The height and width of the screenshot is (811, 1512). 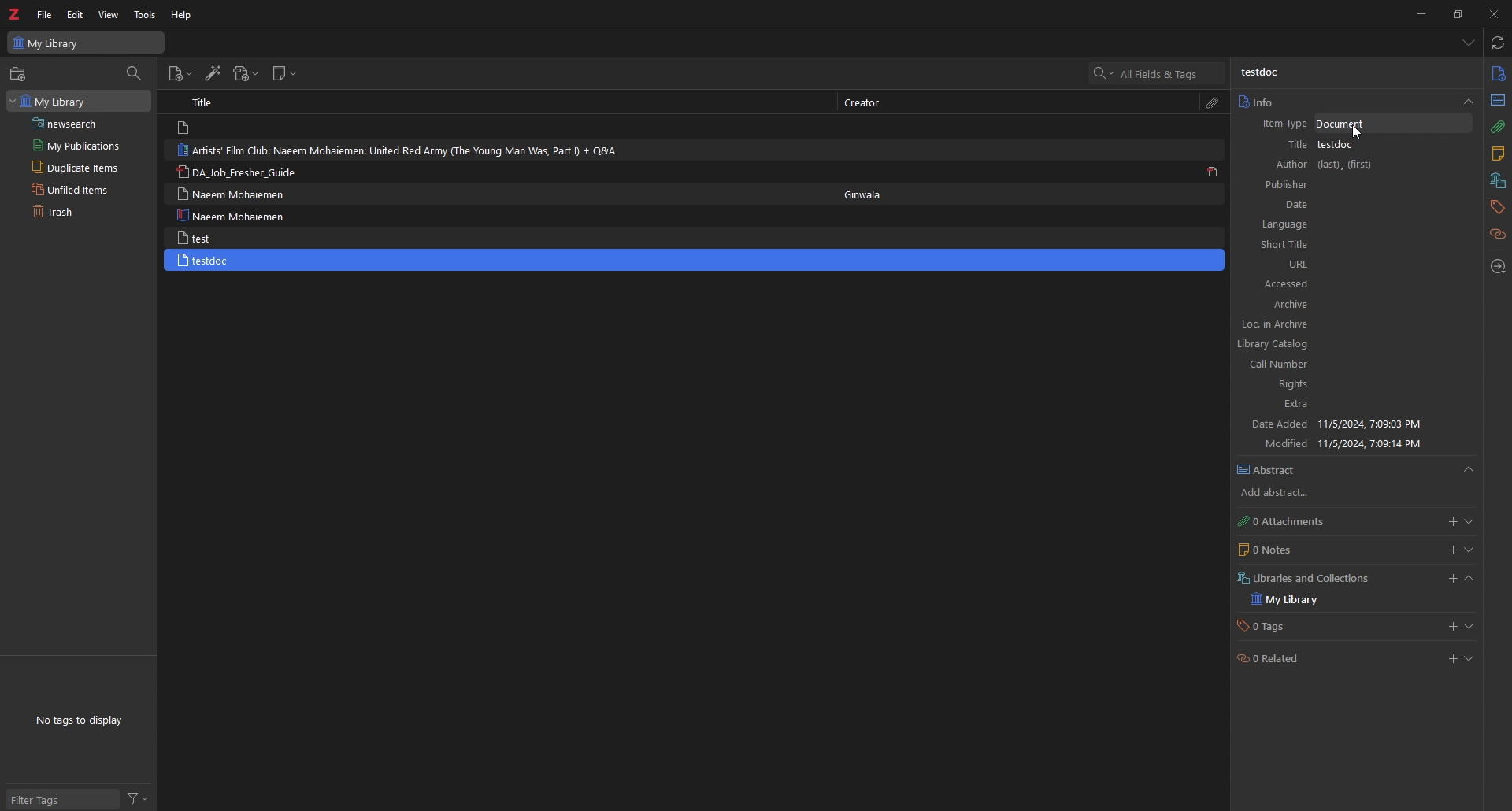 What do you see at coordinates (1449, 659) in the screenshot?
I see `add related` at bounding box center [1449, 659].